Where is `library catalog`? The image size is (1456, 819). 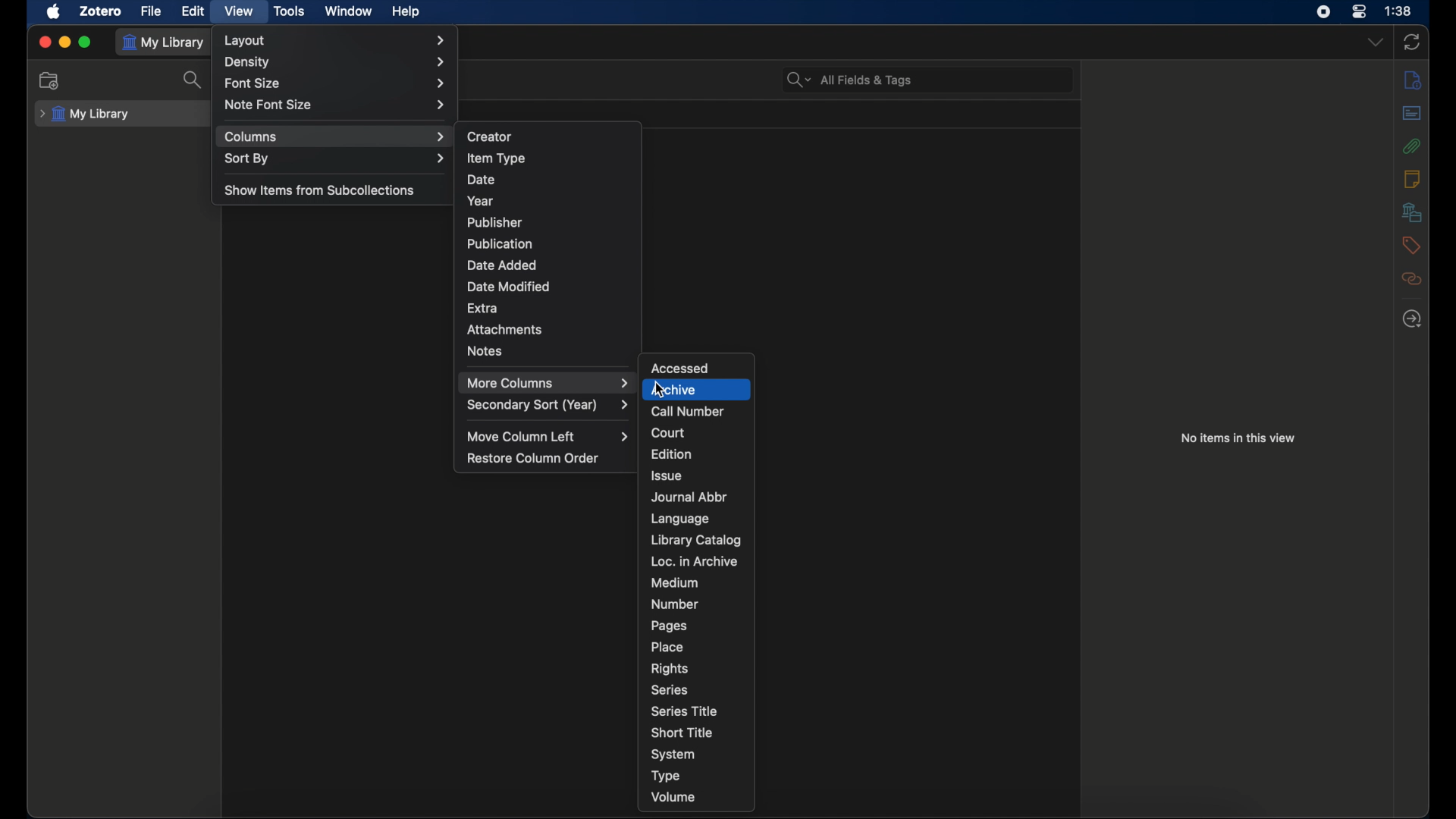 library catalog is located at coordinates (696, 540).